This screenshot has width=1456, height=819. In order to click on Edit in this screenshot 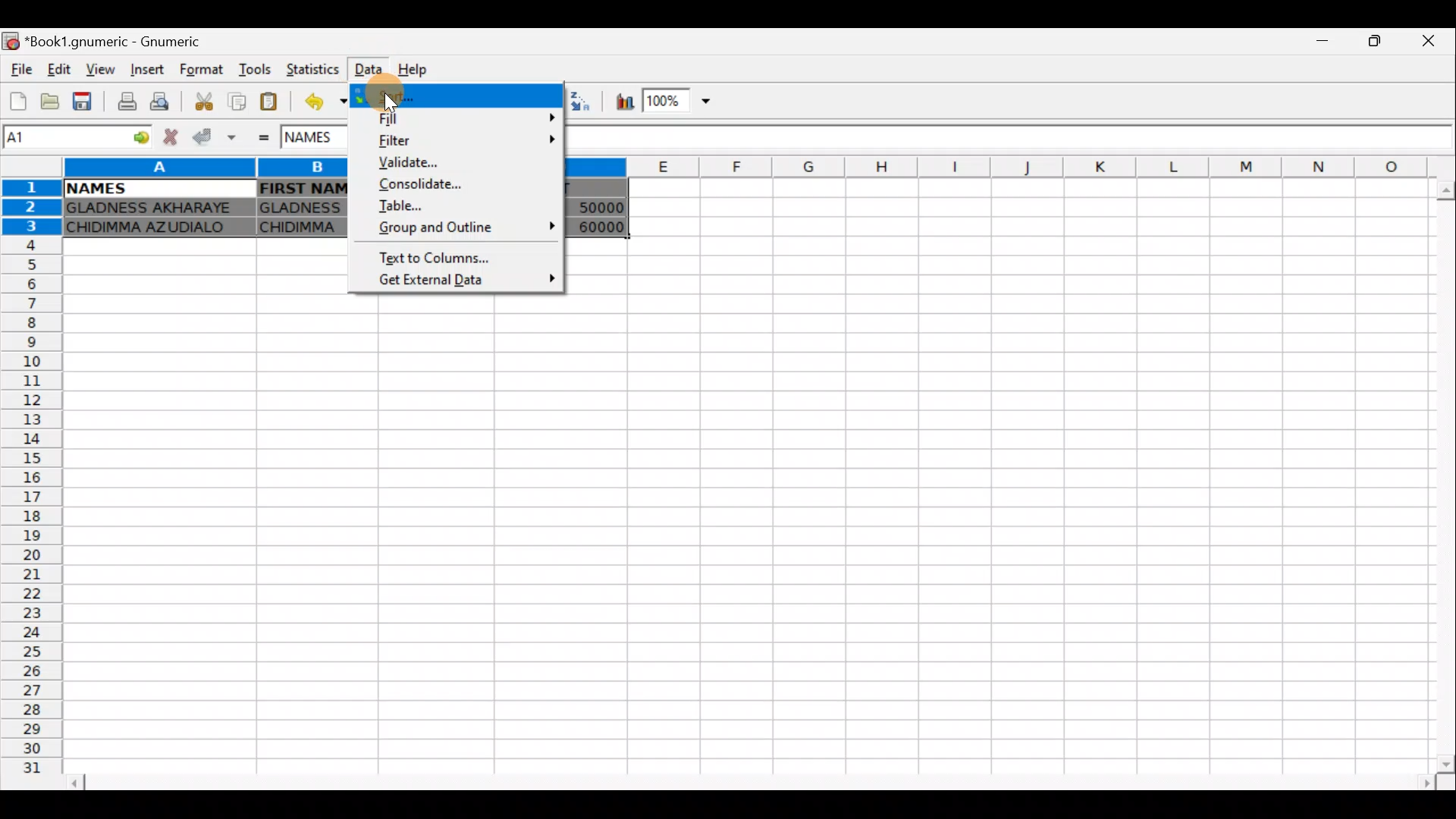, I will do `click(61, 71)`.